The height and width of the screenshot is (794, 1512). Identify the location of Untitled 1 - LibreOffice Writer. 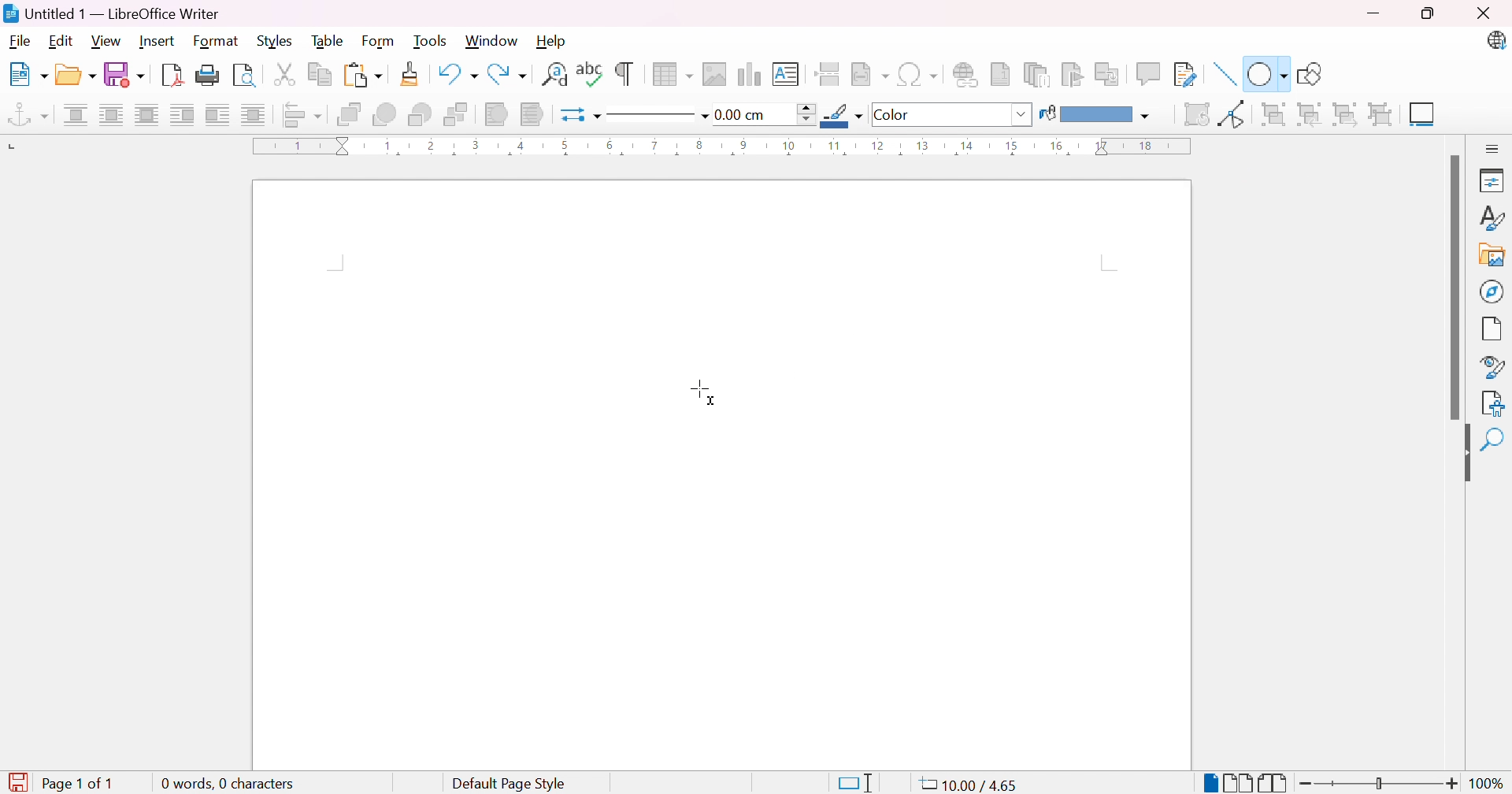
(111, 13).